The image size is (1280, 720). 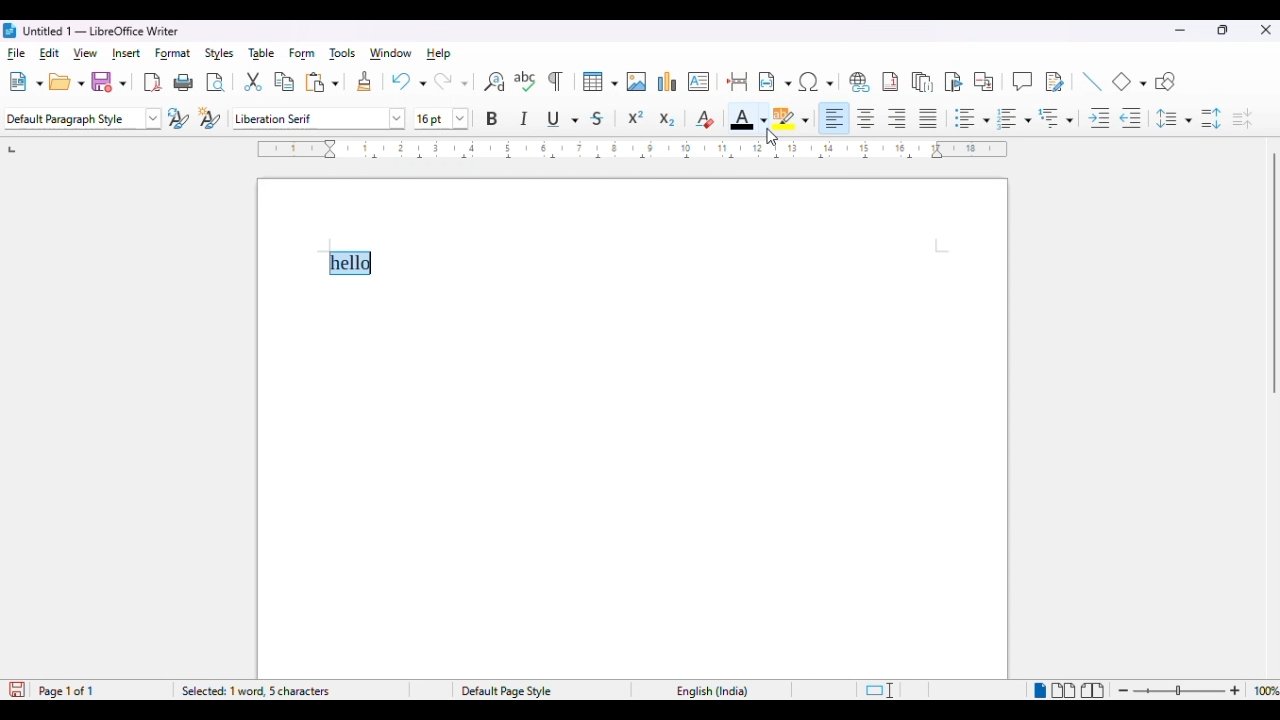 What do you see at coordinates (319, 118) in the screenshot?
I see `font style` at bounding box center [319, 118].